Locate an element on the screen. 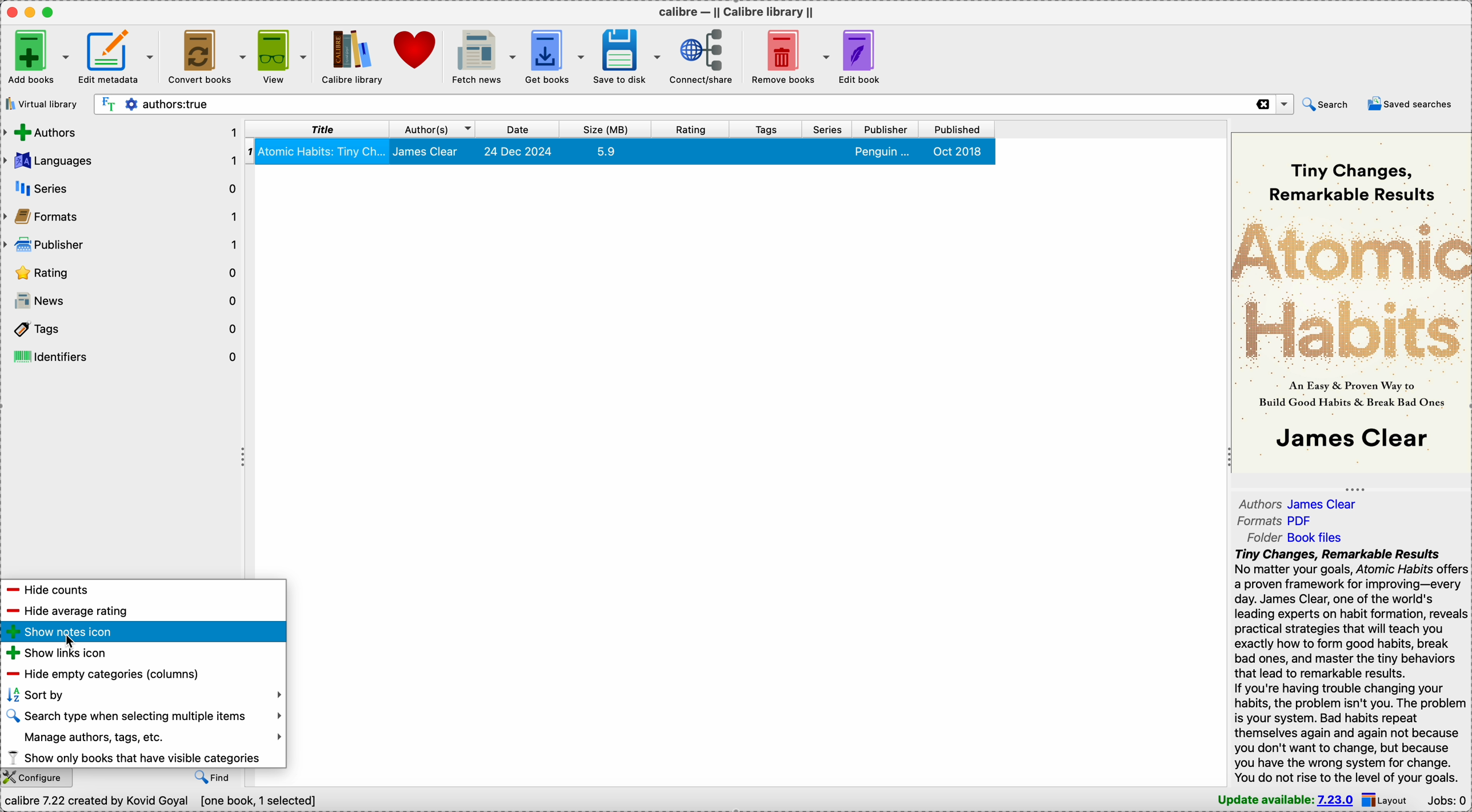 The height and width of the screenshot is (812, 1472). Calibre 7.22 created by Kovid Goyal [one book, 1 selected] is located at coordinates (159, 802).